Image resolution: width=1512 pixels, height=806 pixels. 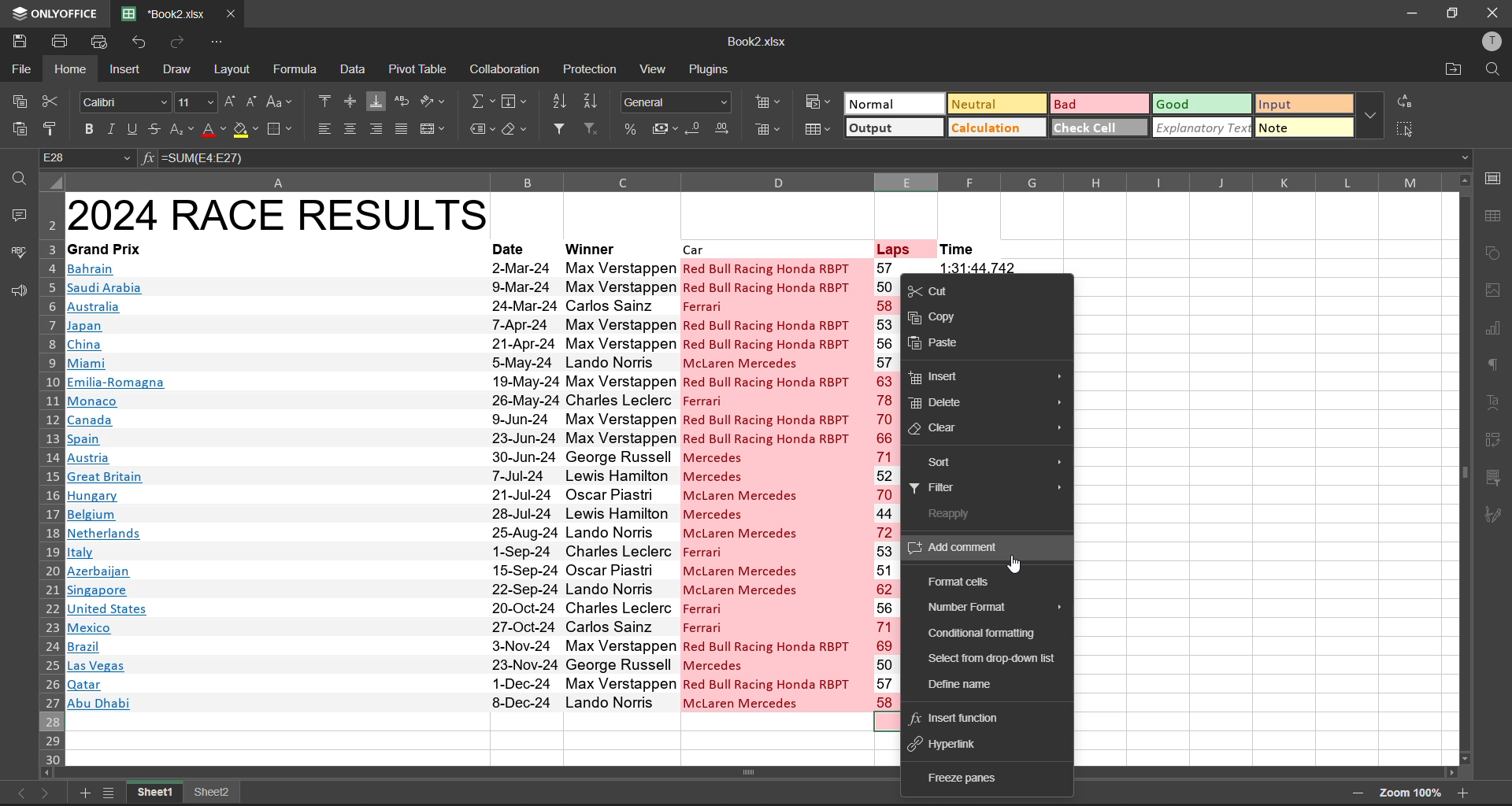 What do you see at coordinates (181, 72) in the screenshot?
I see `draw` at bounding box center [181, 72].